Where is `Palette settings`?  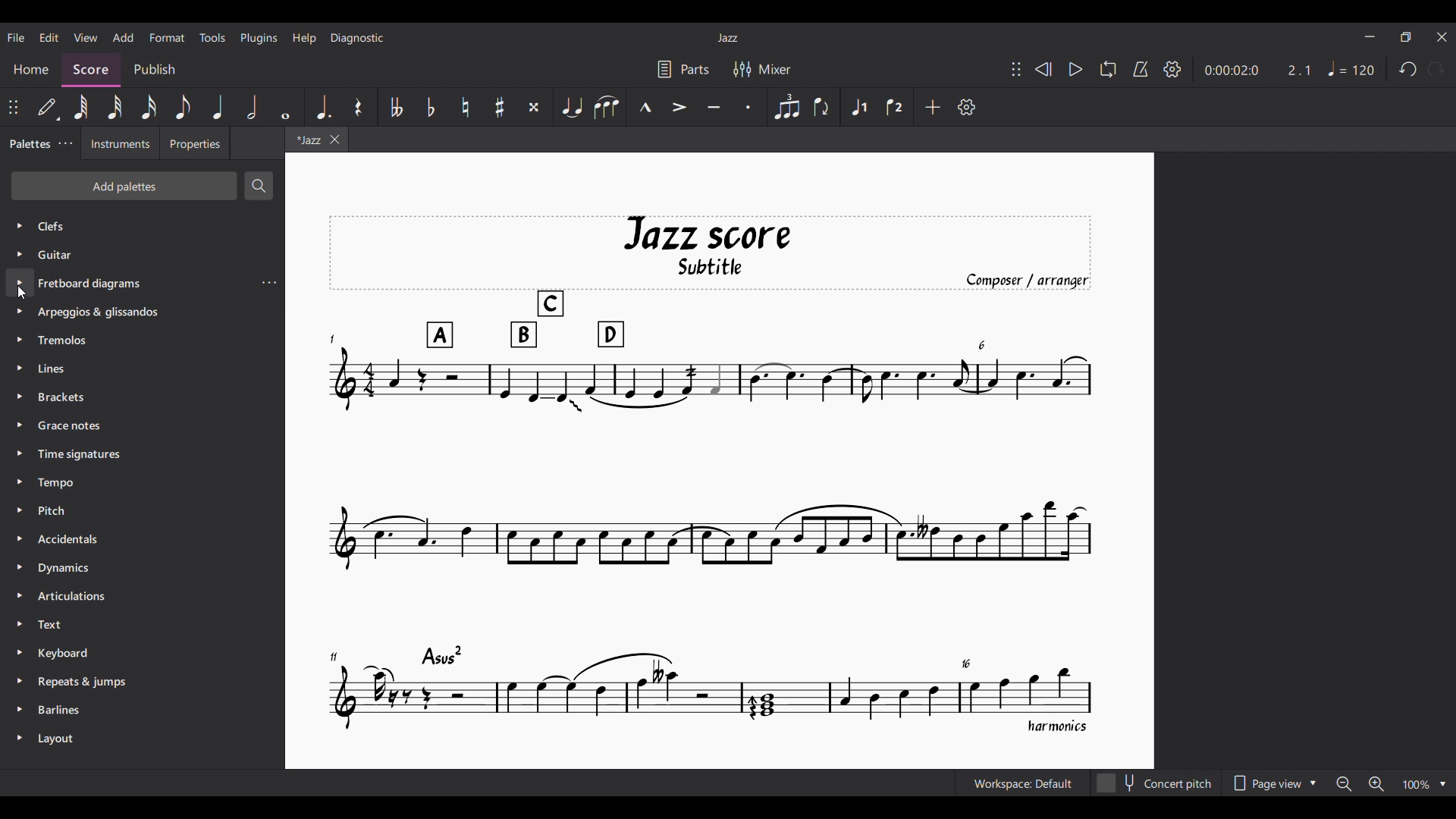 Palette settings is located at coordinates (66, 143).